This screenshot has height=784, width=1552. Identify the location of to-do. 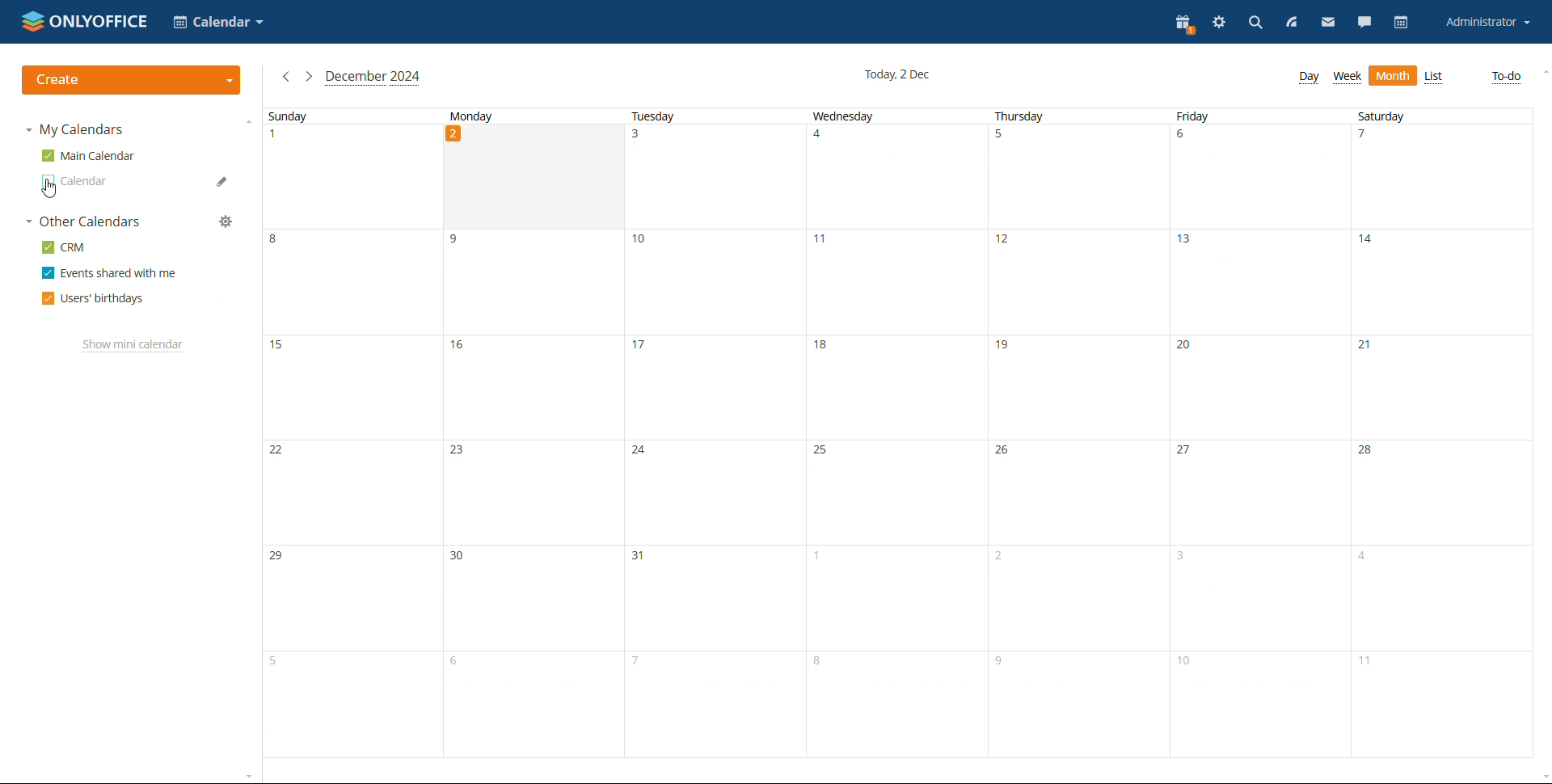
(1507, 76).